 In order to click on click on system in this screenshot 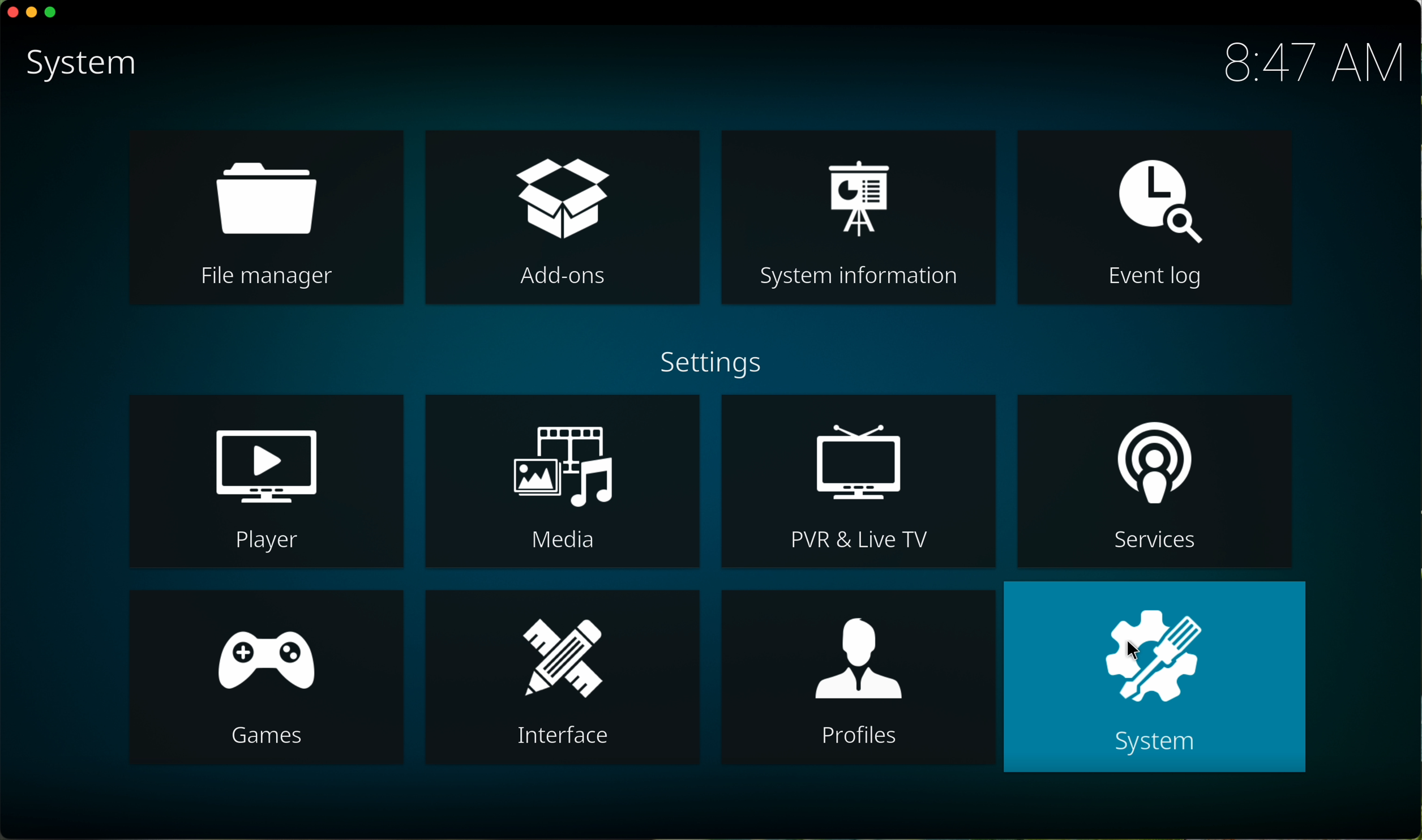, I will do `click(1154, 677)`.